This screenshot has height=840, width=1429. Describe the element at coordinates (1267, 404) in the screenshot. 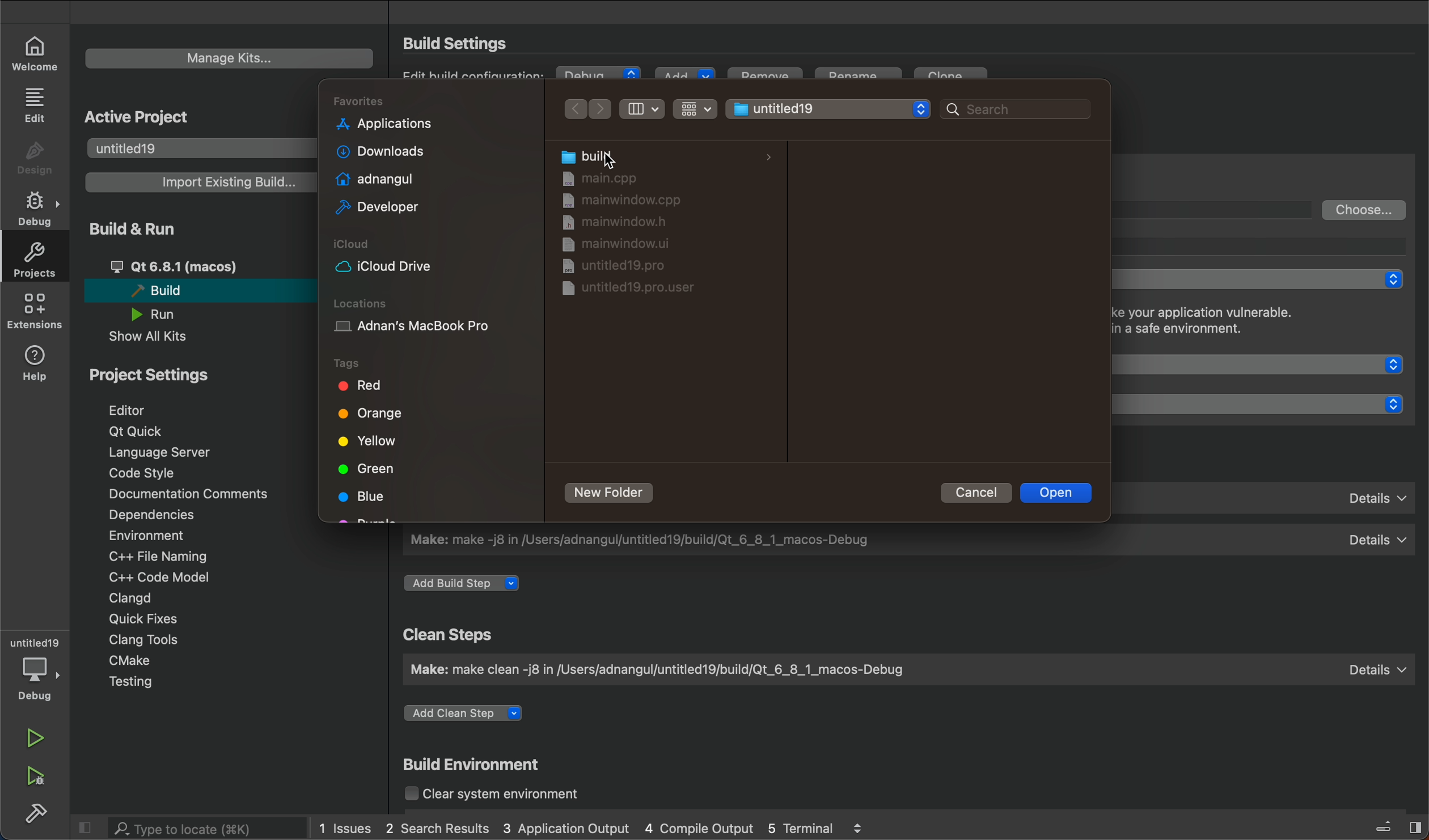

I see `qmake system` at that location.